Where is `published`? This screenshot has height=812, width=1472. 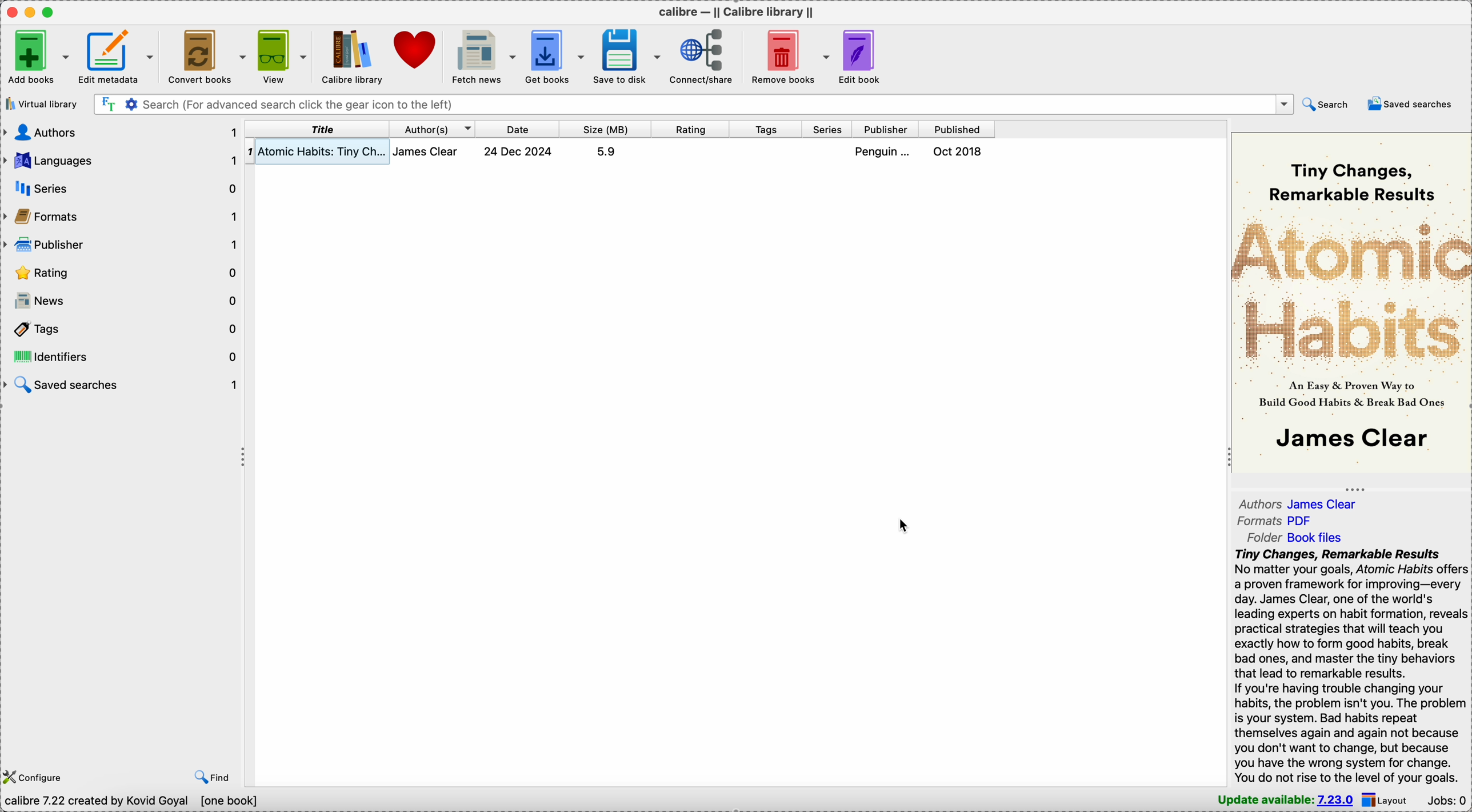
published is located at coordinates (957, 130).